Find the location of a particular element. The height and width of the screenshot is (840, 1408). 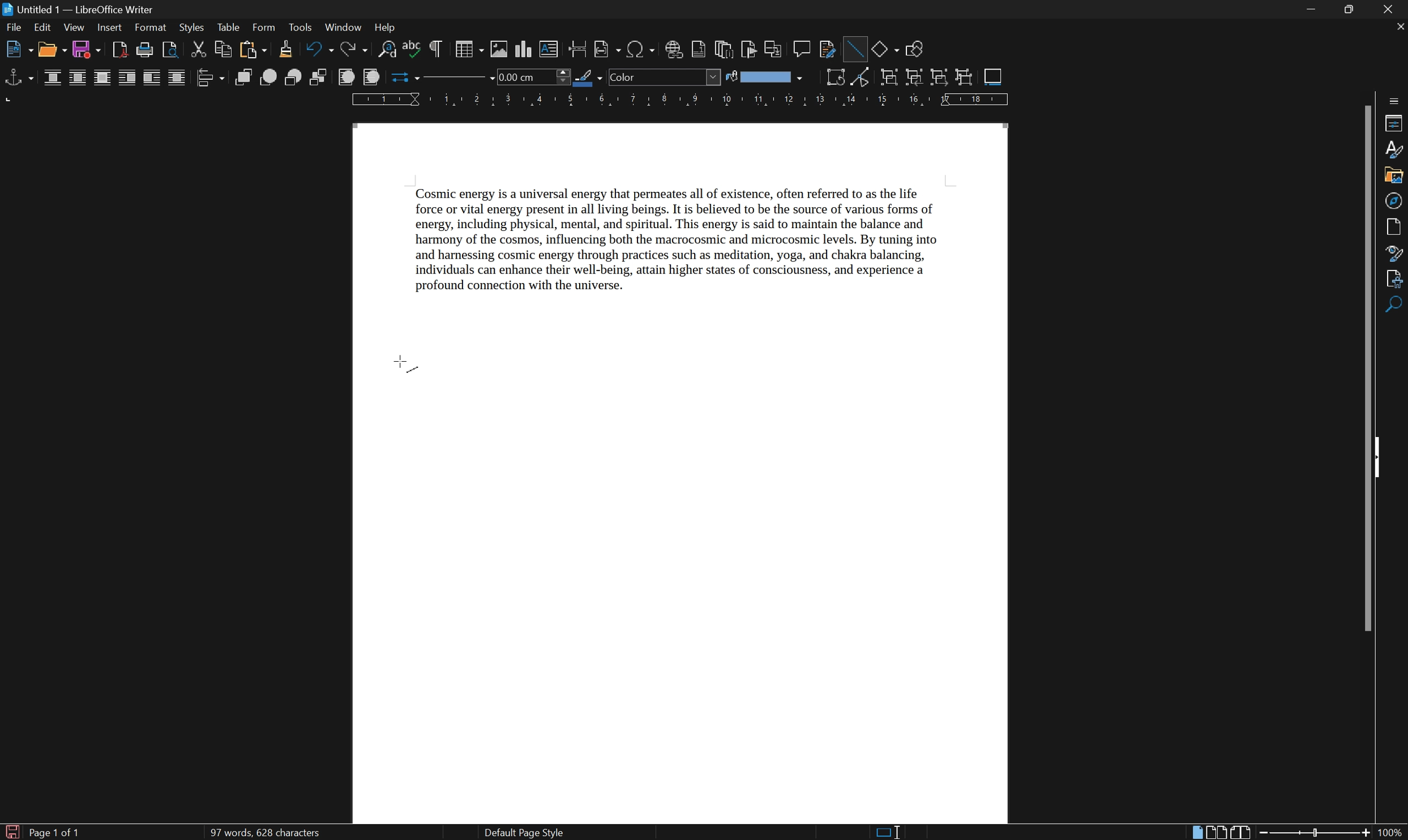

tools is located at coordinates (301, 28).